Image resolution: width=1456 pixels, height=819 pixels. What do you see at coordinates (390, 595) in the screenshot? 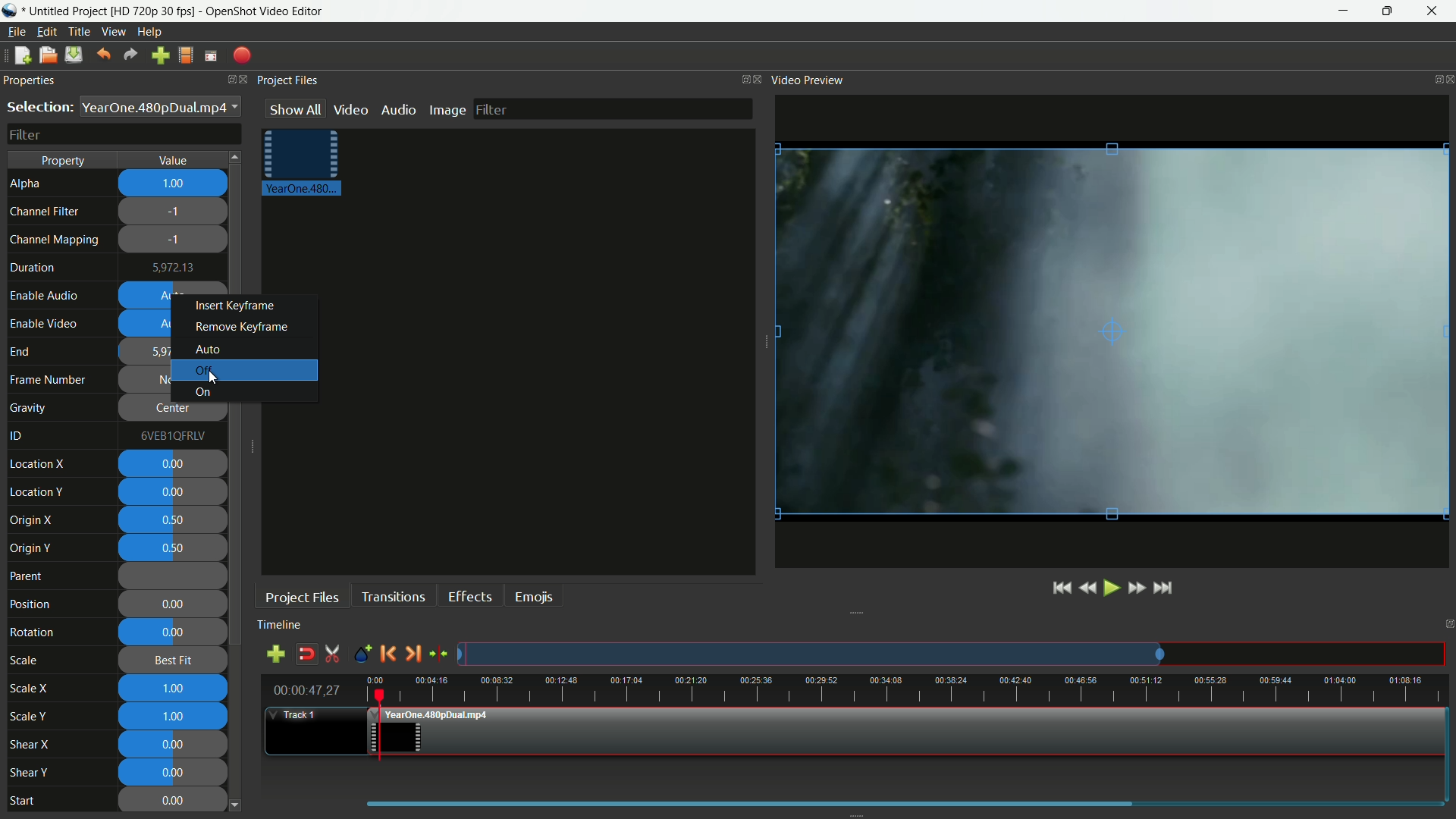
I see `transitions` at bounding box center [390, 595].